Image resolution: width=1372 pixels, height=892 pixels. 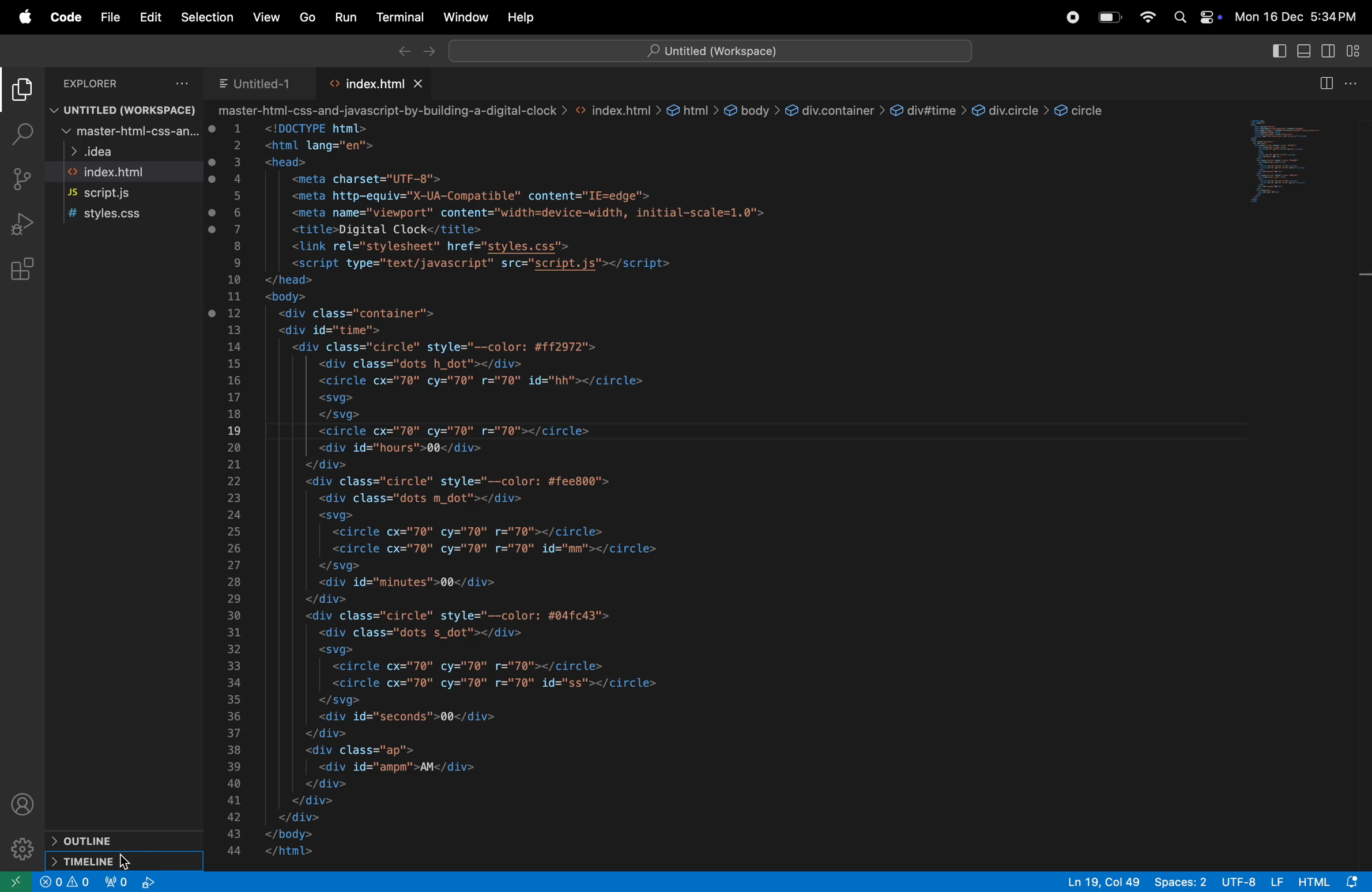 What do you see at coordinates (27, 19) in the screenshot?
I see `apple menu` at bounding box center [27, 19].